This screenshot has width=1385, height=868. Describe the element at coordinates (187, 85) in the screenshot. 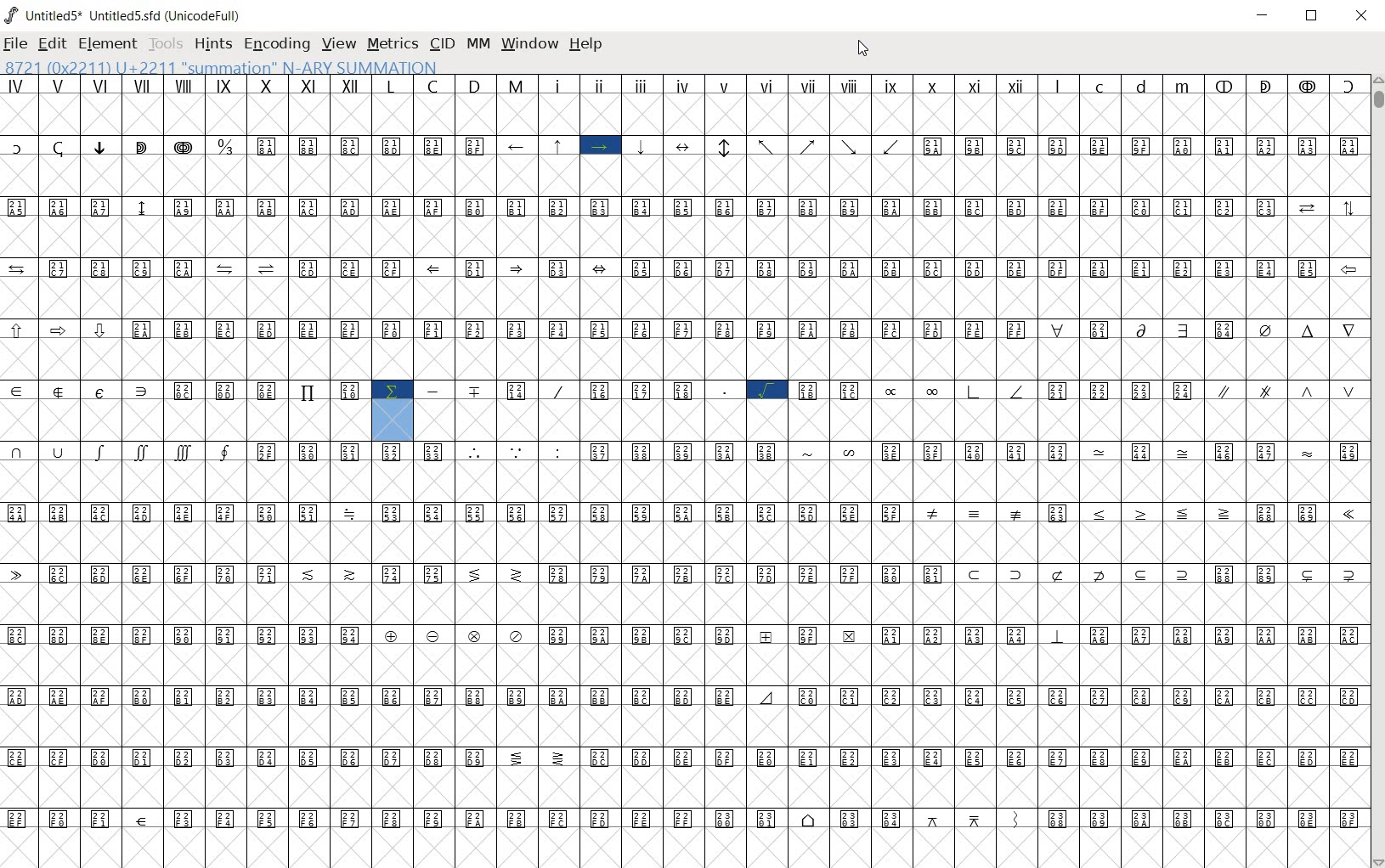

I see `roman numerals` at that location.